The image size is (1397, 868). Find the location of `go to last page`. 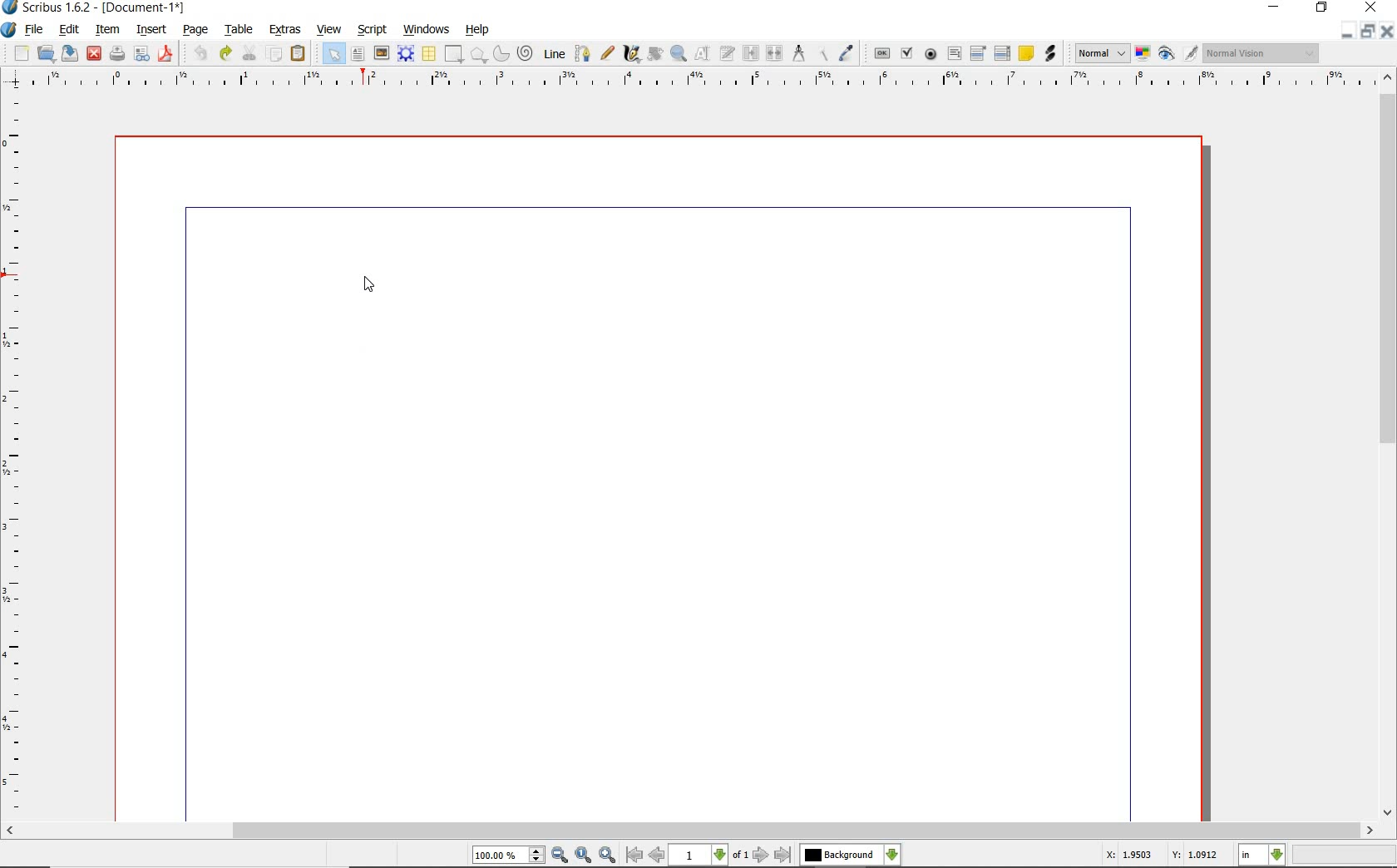

go to last page is located at coordinates (784, 855).